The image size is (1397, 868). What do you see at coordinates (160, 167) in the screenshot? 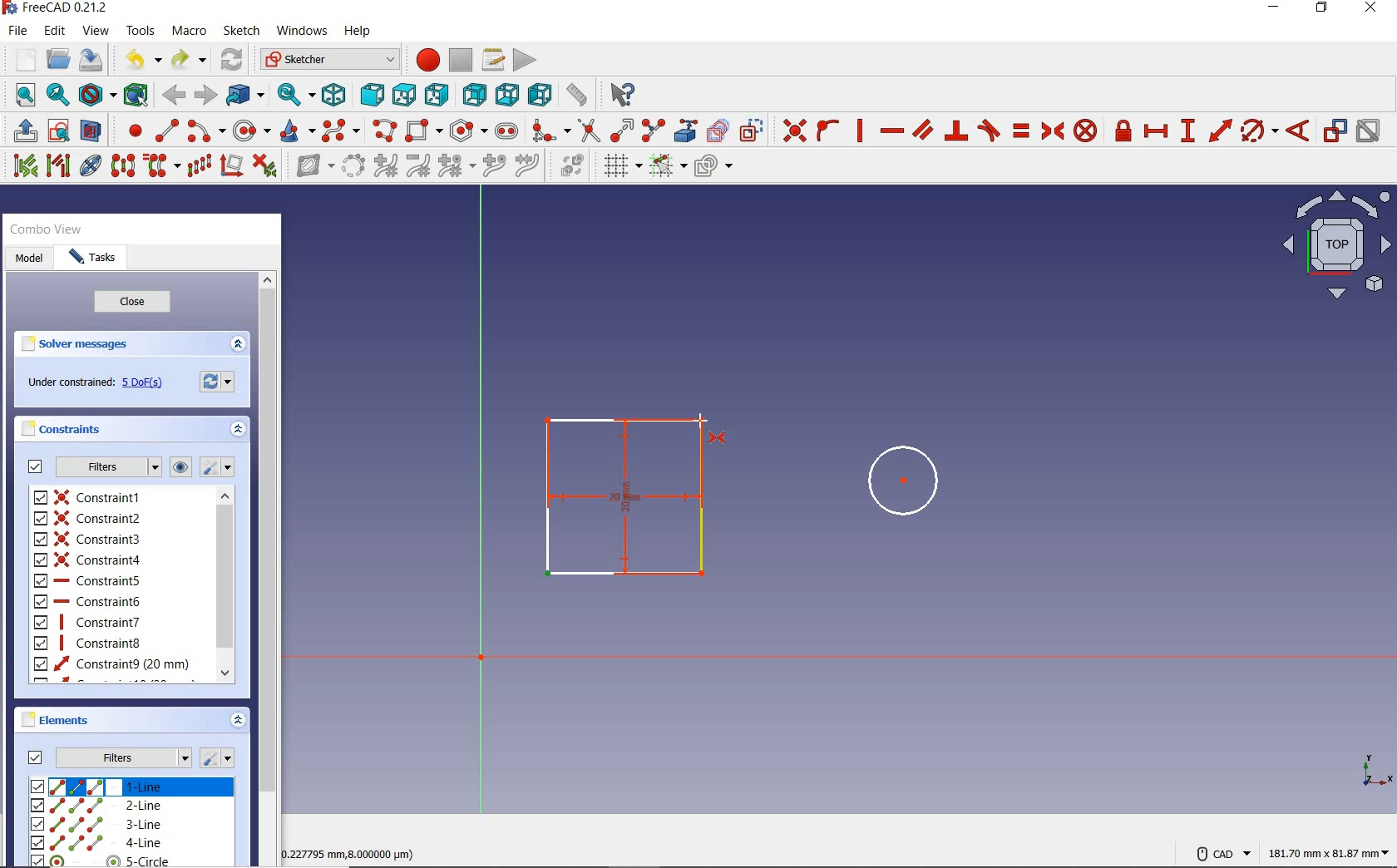
I see `clone` at bounding box center [160, 167].